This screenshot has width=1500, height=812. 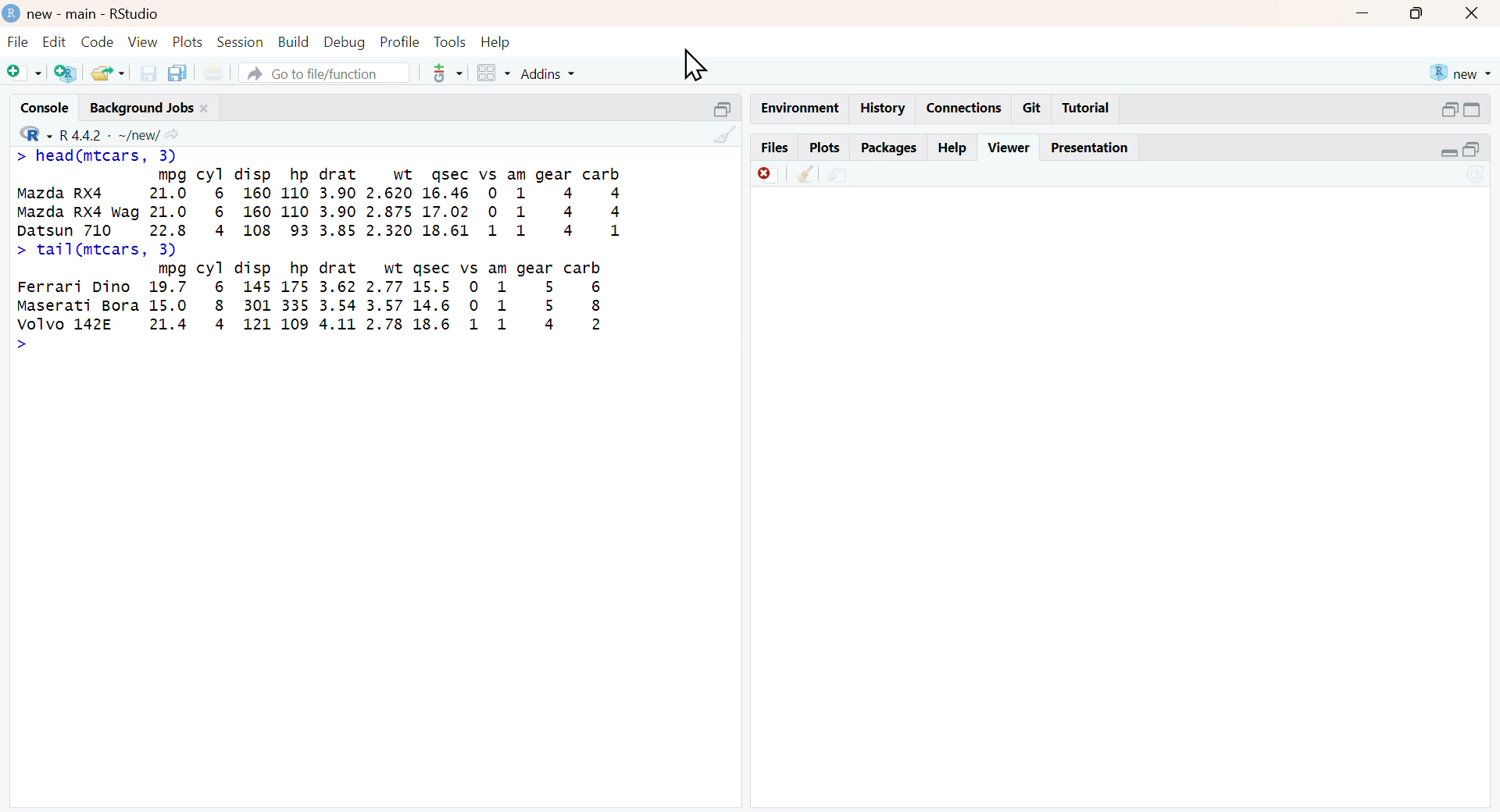 I want to click on Plots, so click(x=822, y=146).